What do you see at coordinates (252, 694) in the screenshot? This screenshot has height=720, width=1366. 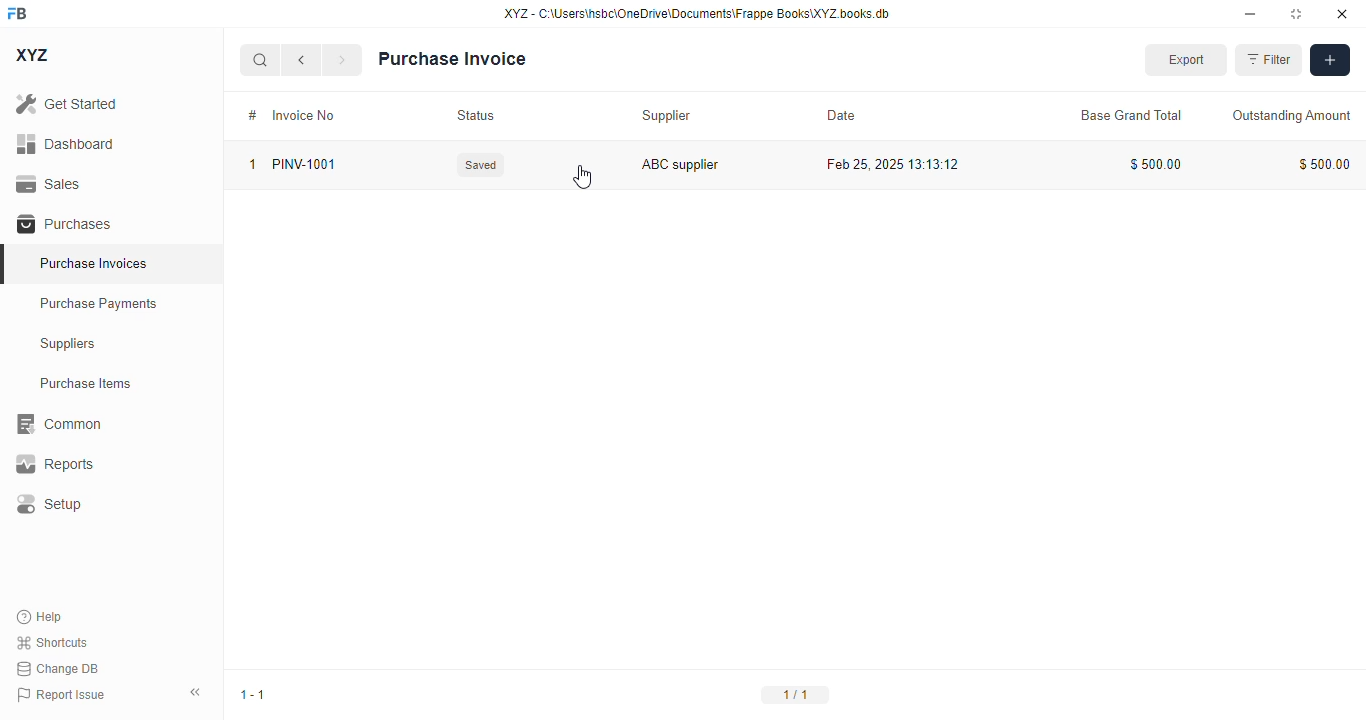 I see `1-1` at bounding box center [252, 694].